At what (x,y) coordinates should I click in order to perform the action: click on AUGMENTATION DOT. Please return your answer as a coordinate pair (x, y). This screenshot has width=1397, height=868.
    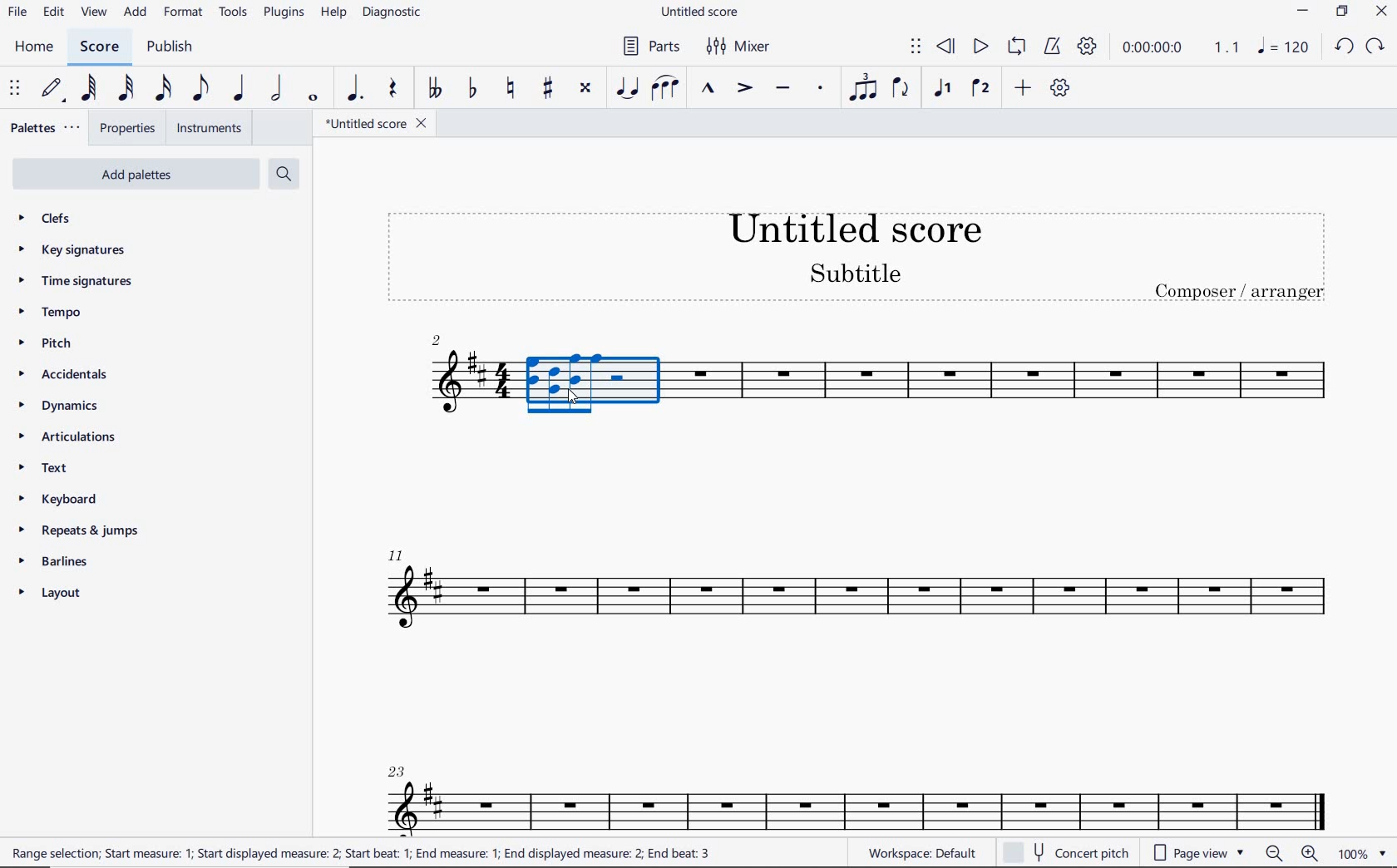
    Looking at the image, I should click on (357, 89).